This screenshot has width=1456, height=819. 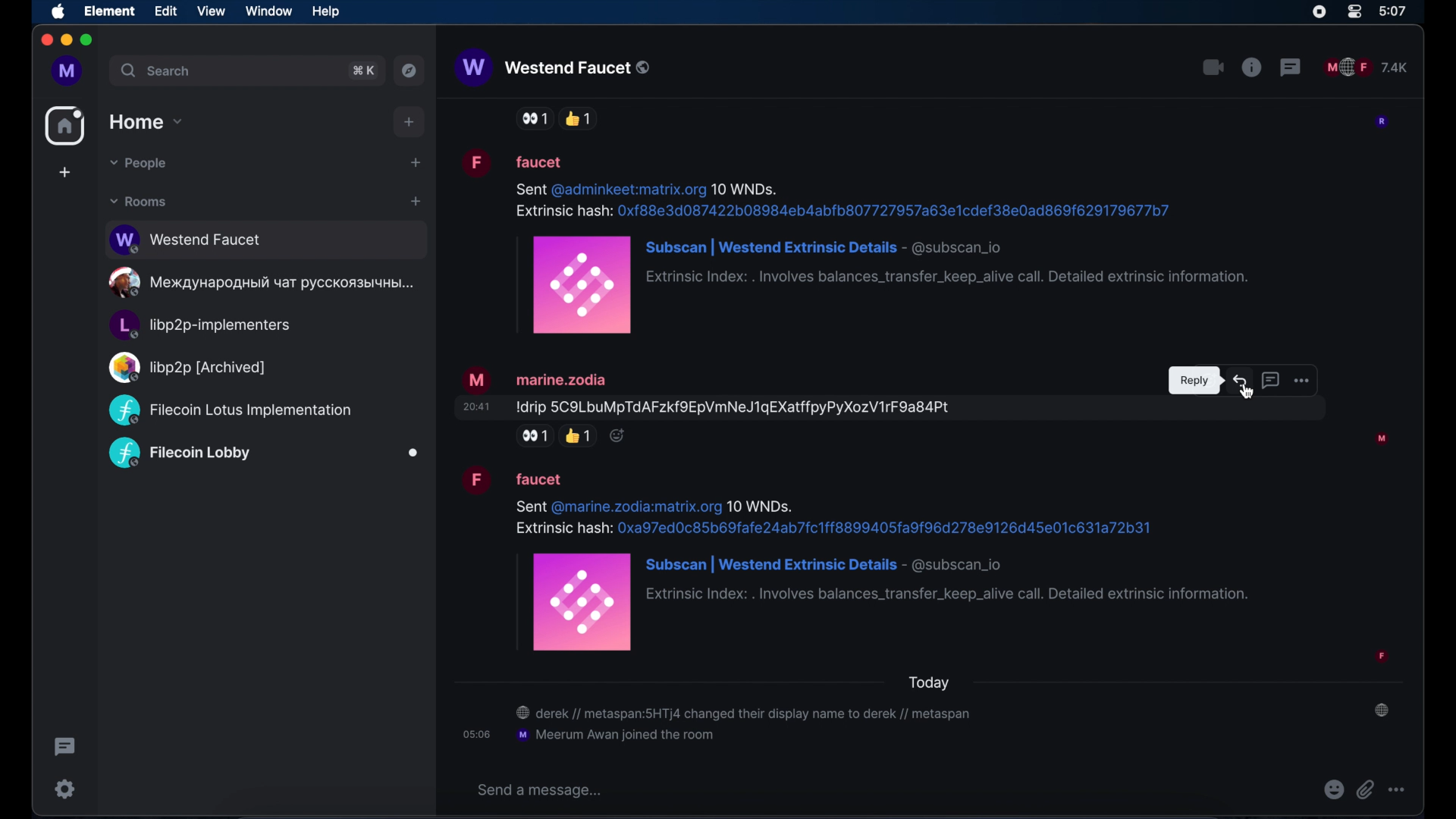 I want to click on participant profile picture, so click(x=1383, y=438).